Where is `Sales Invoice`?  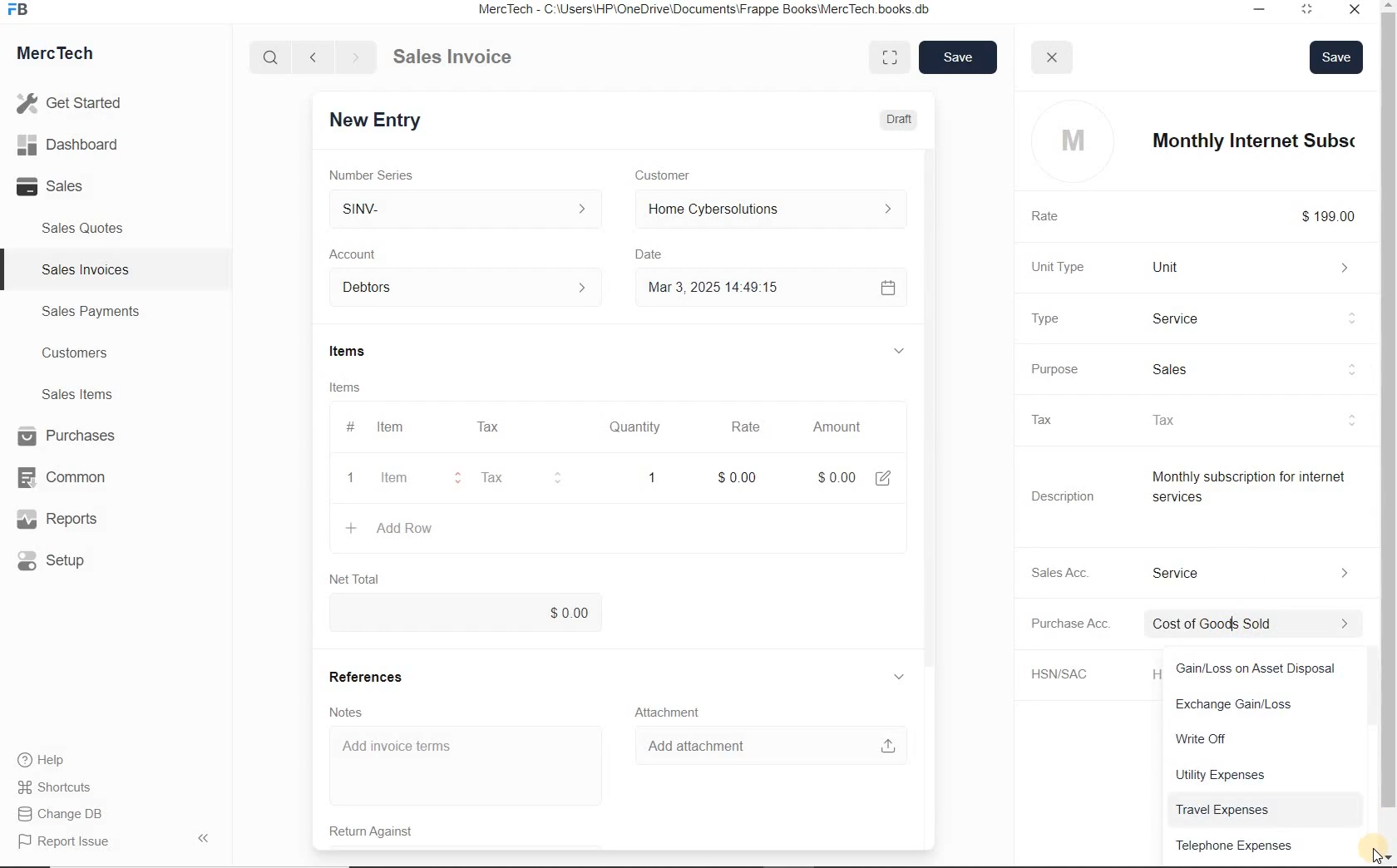
Sales Invoice is located at coordinates (454, 58).